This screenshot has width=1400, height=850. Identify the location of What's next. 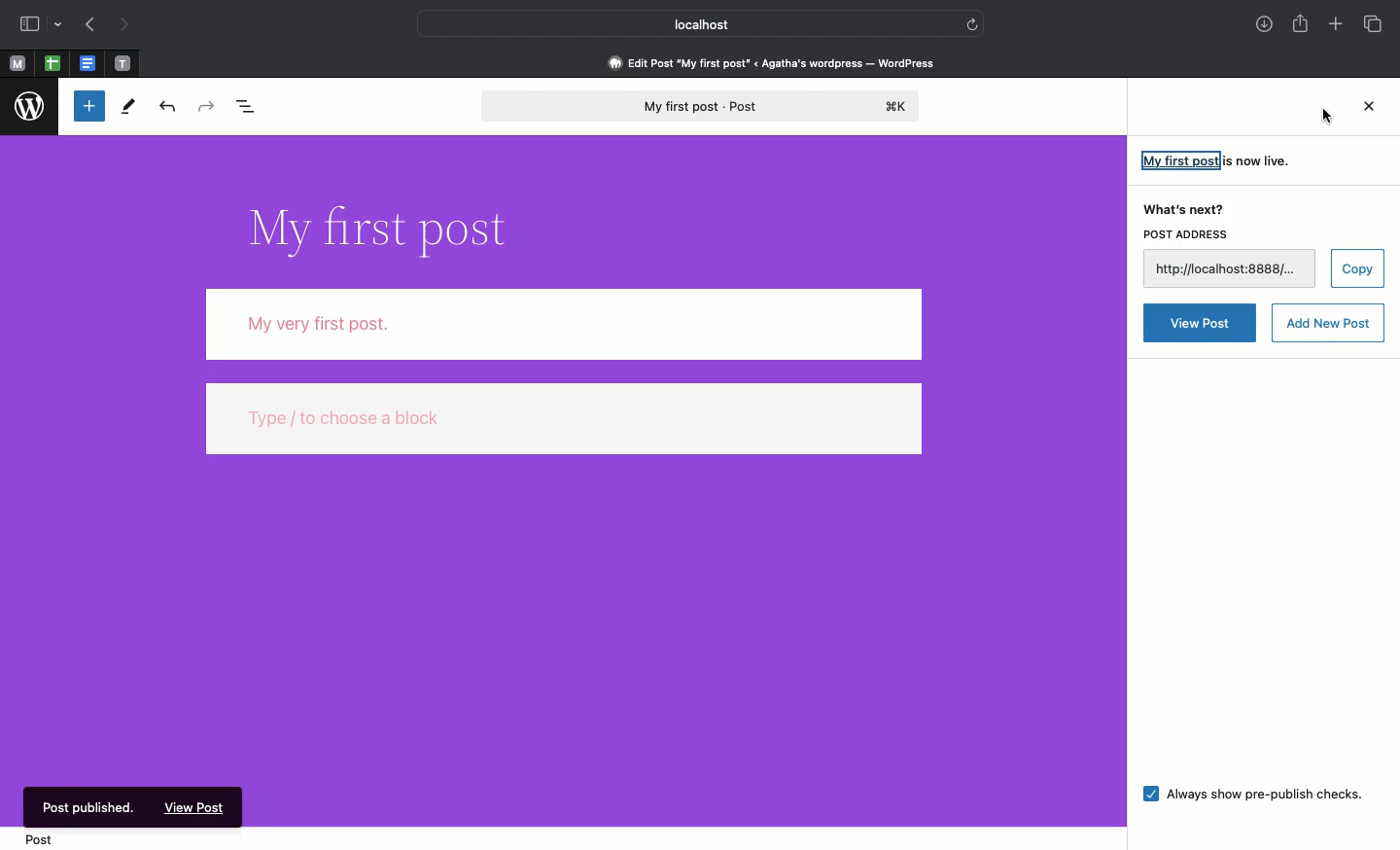
(1181, 206).